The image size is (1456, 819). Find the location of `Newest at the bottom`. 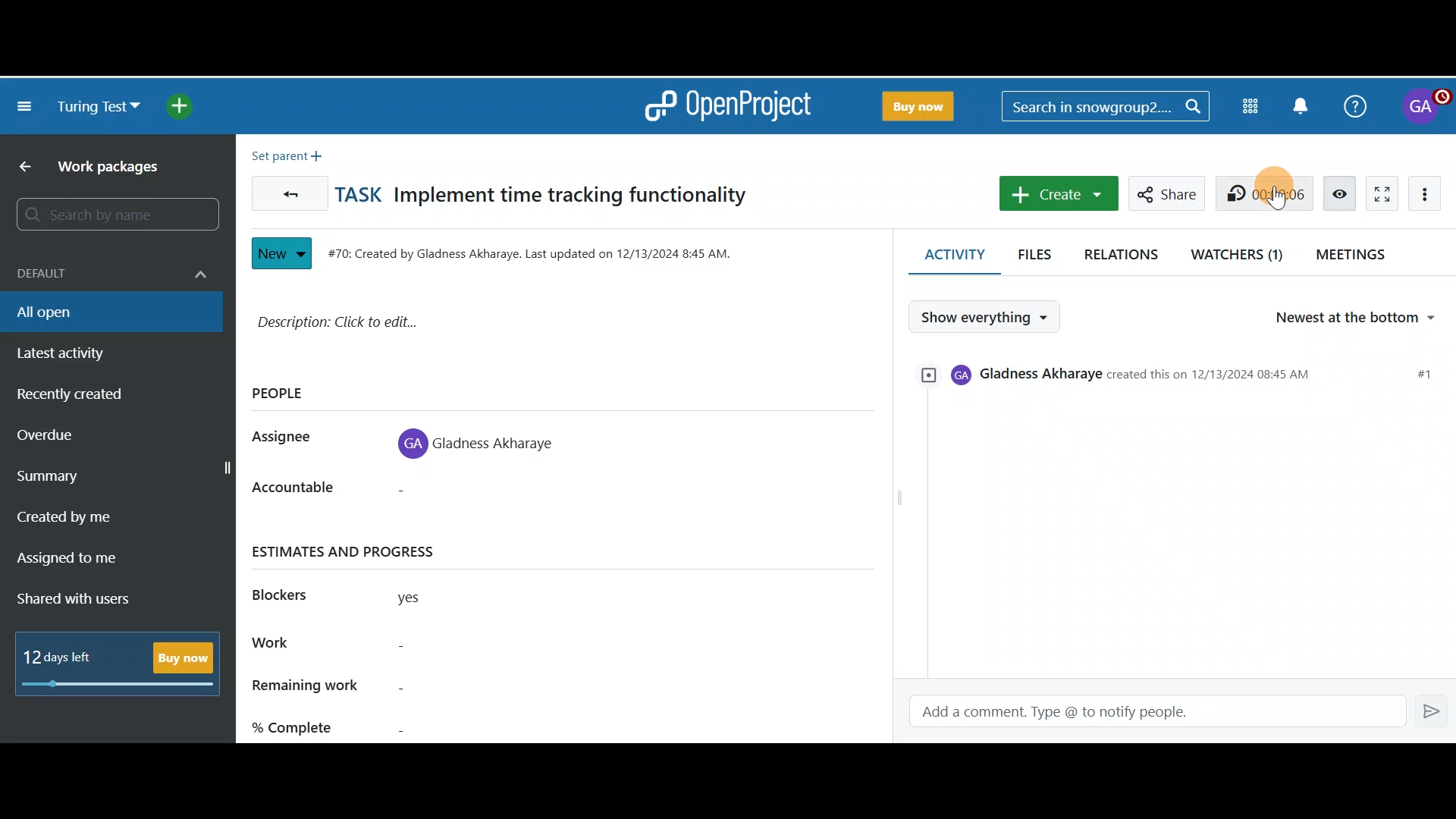

Newest at the bottom is located at coordinates (1363, 318).